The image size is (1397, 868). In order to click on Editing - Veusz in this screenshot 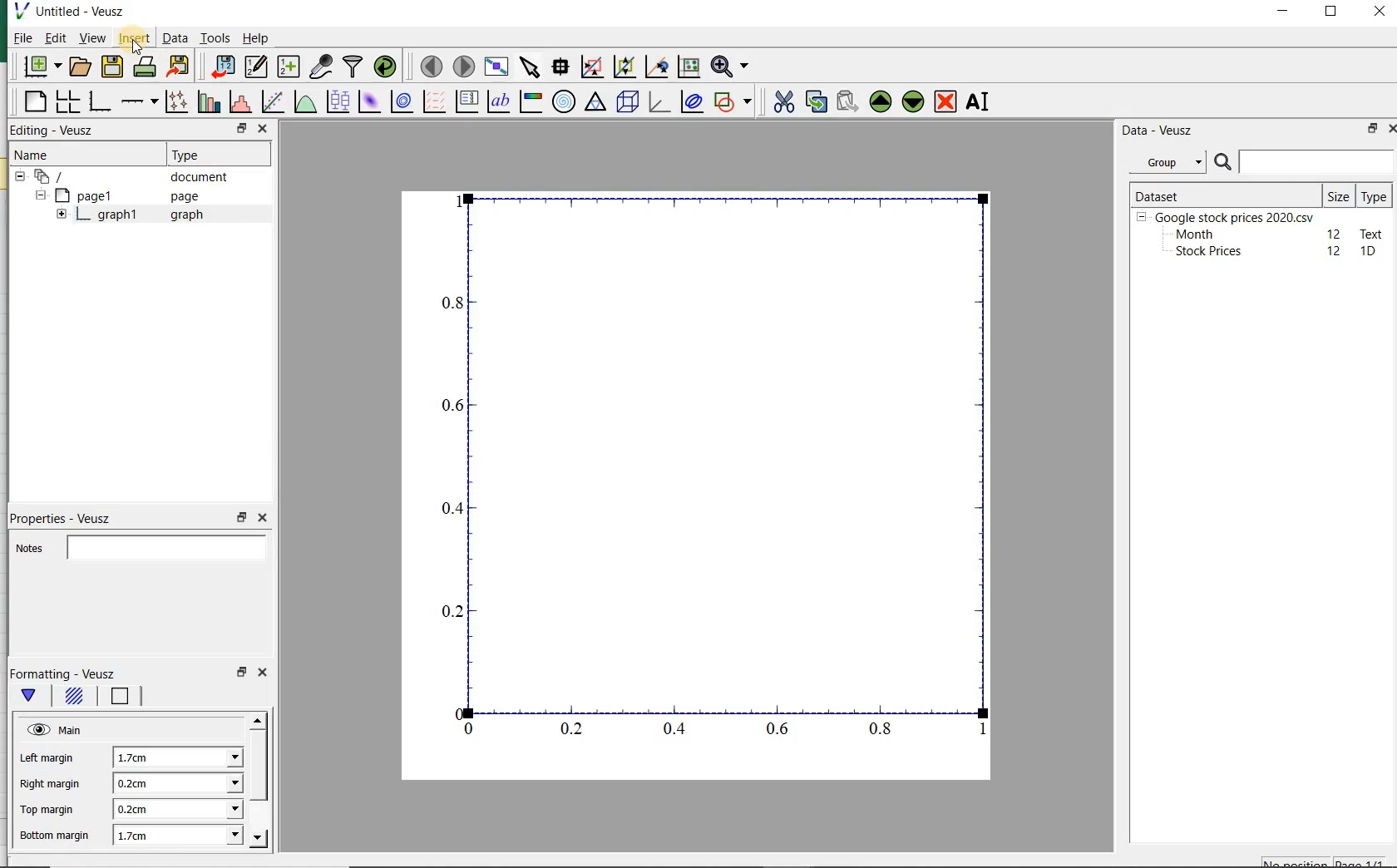, I will do `click(54, 131)`.